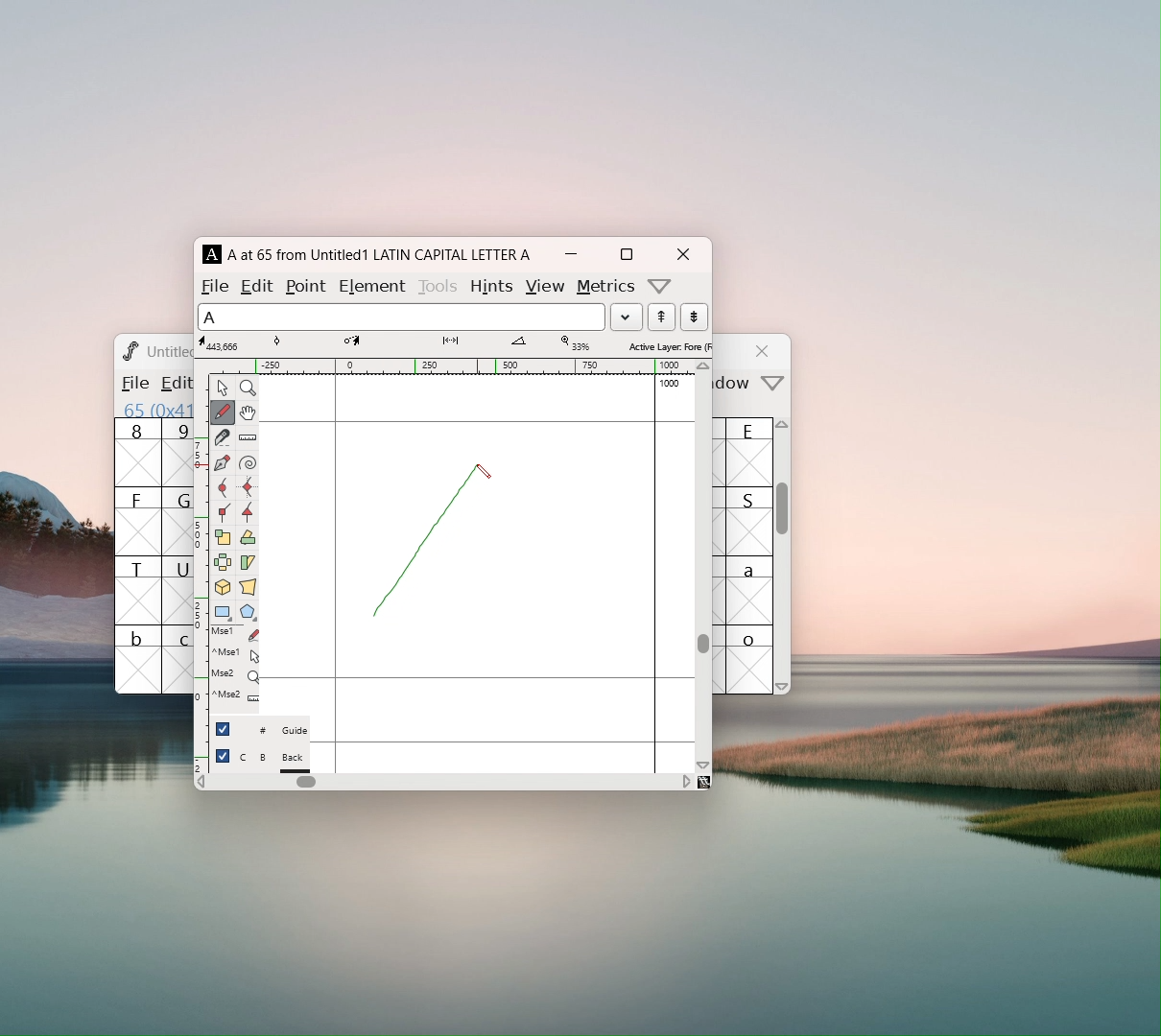 The width and height of the screenshot is (1161, 1036). Describe the element at coordinates (765, 351) in the screenshot. I see `close` at that location.